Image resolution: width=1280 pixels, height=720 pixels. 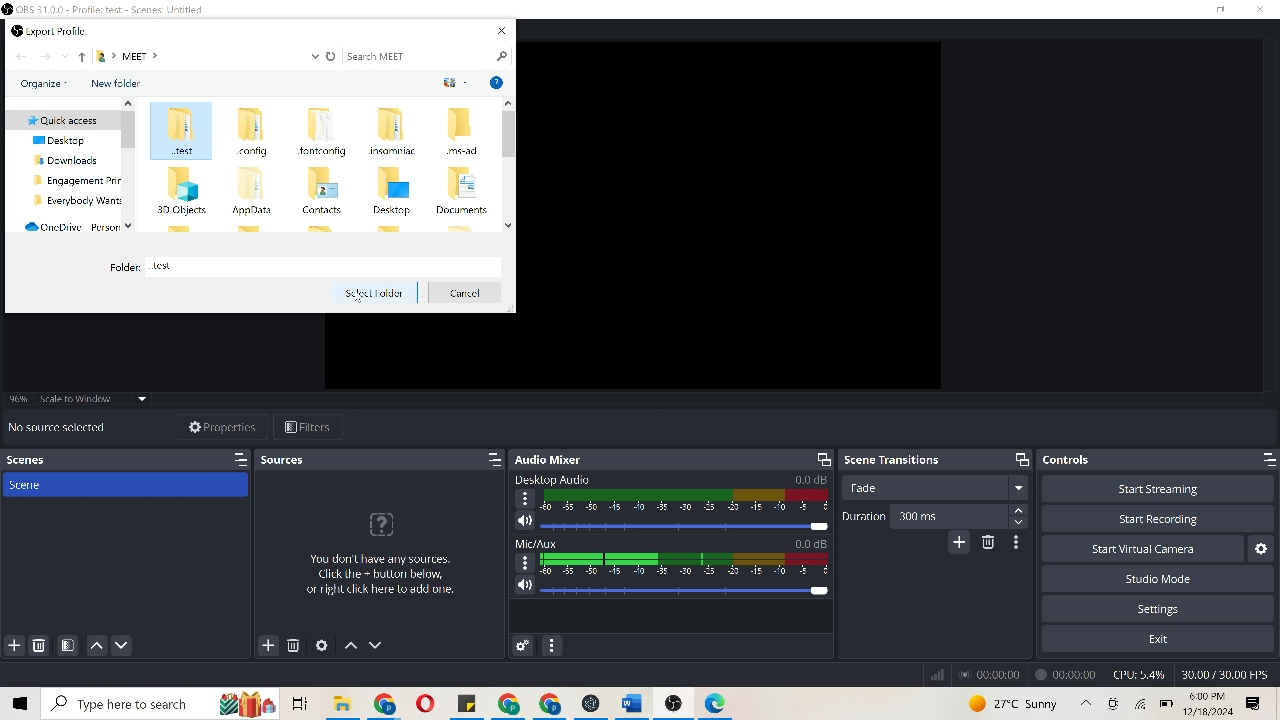 What do you see at coordinates (324, 131) in the screenshot?
I see `.tontconfig` at bounding box center [324, 131].